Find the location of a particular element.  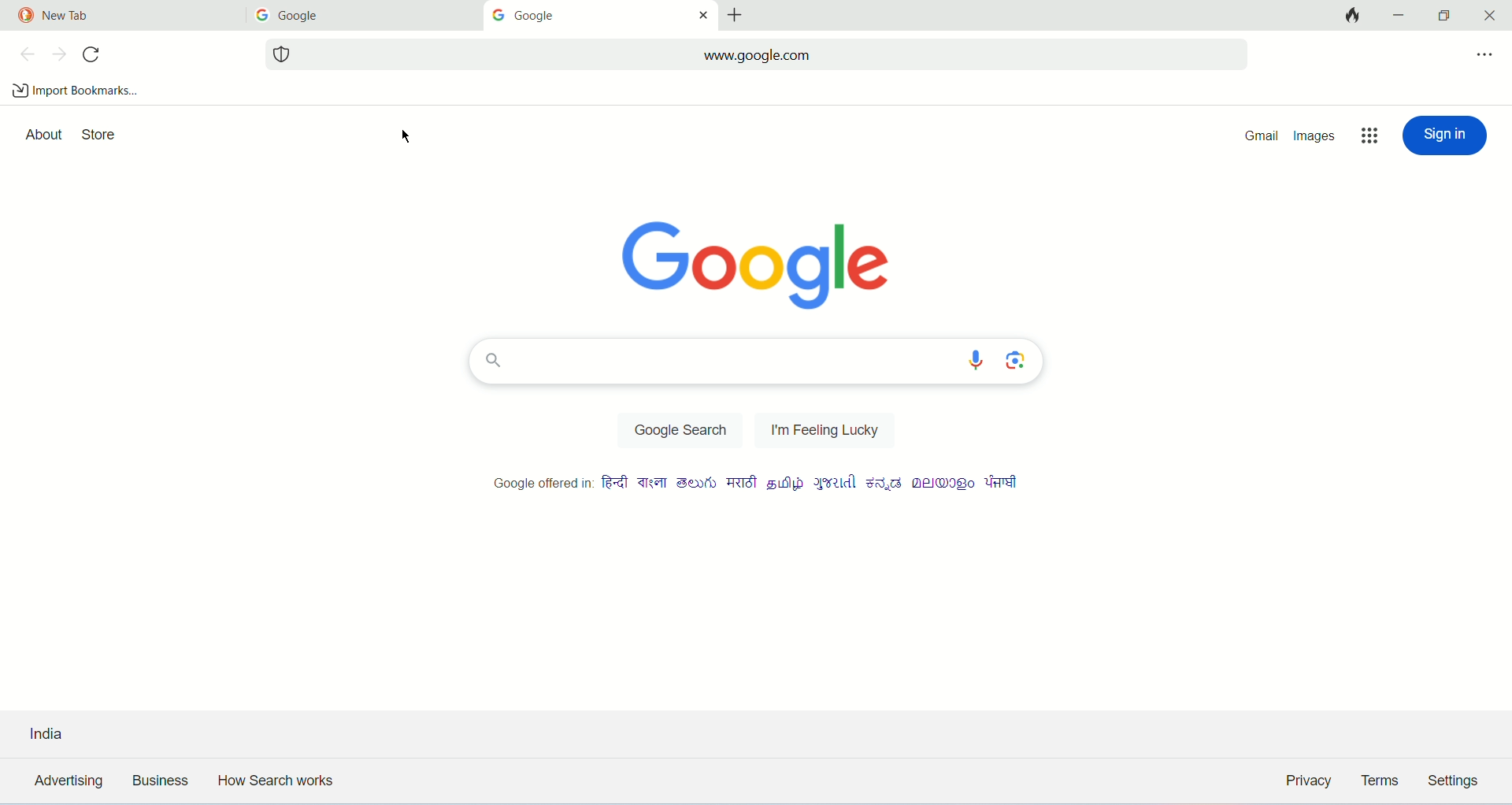

new tab is located at coordinates (69, 17).